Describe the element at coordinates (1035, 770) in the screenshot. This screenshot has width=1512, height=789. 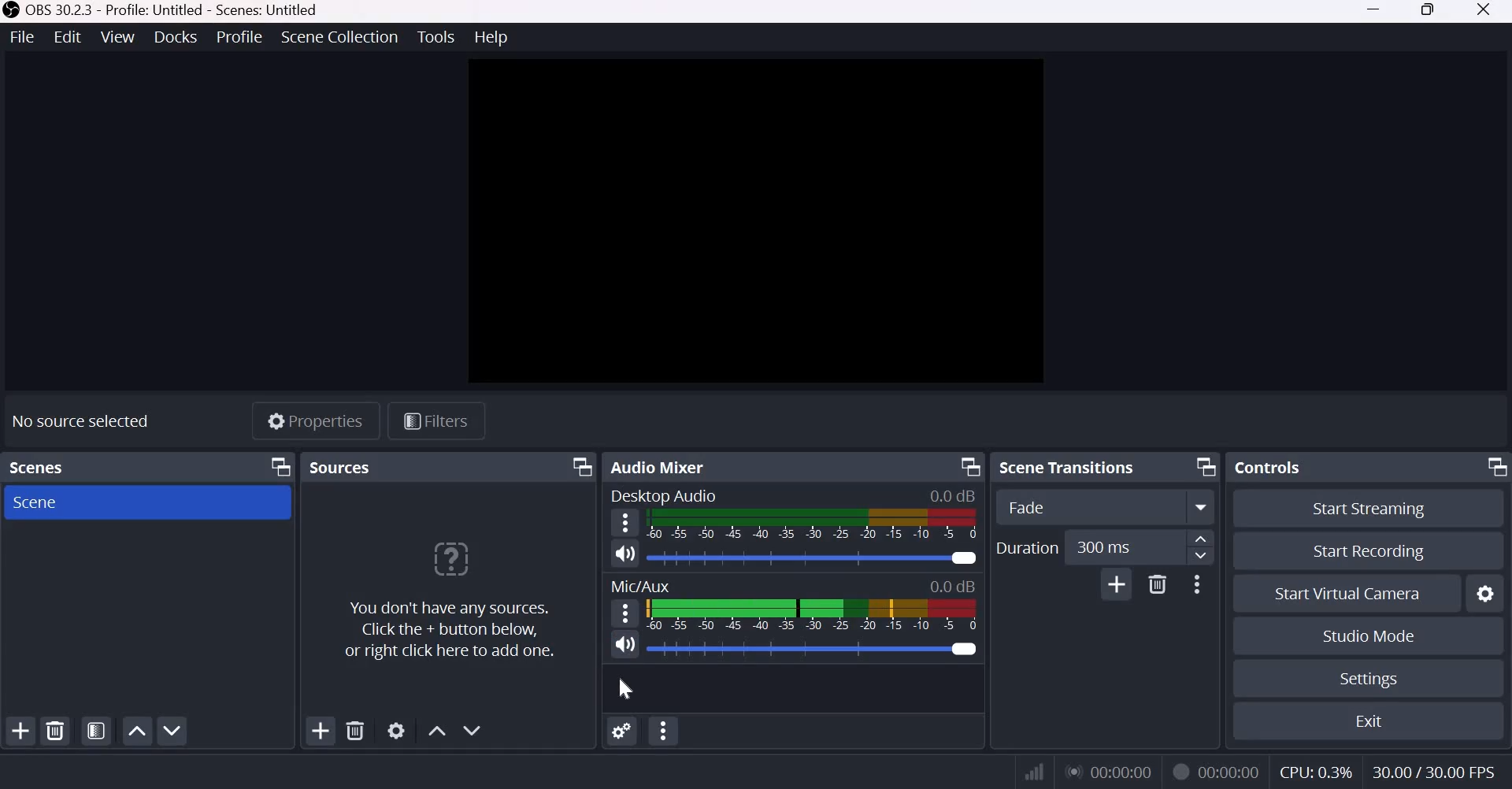
I see `Connection Status Indicator` at that location.